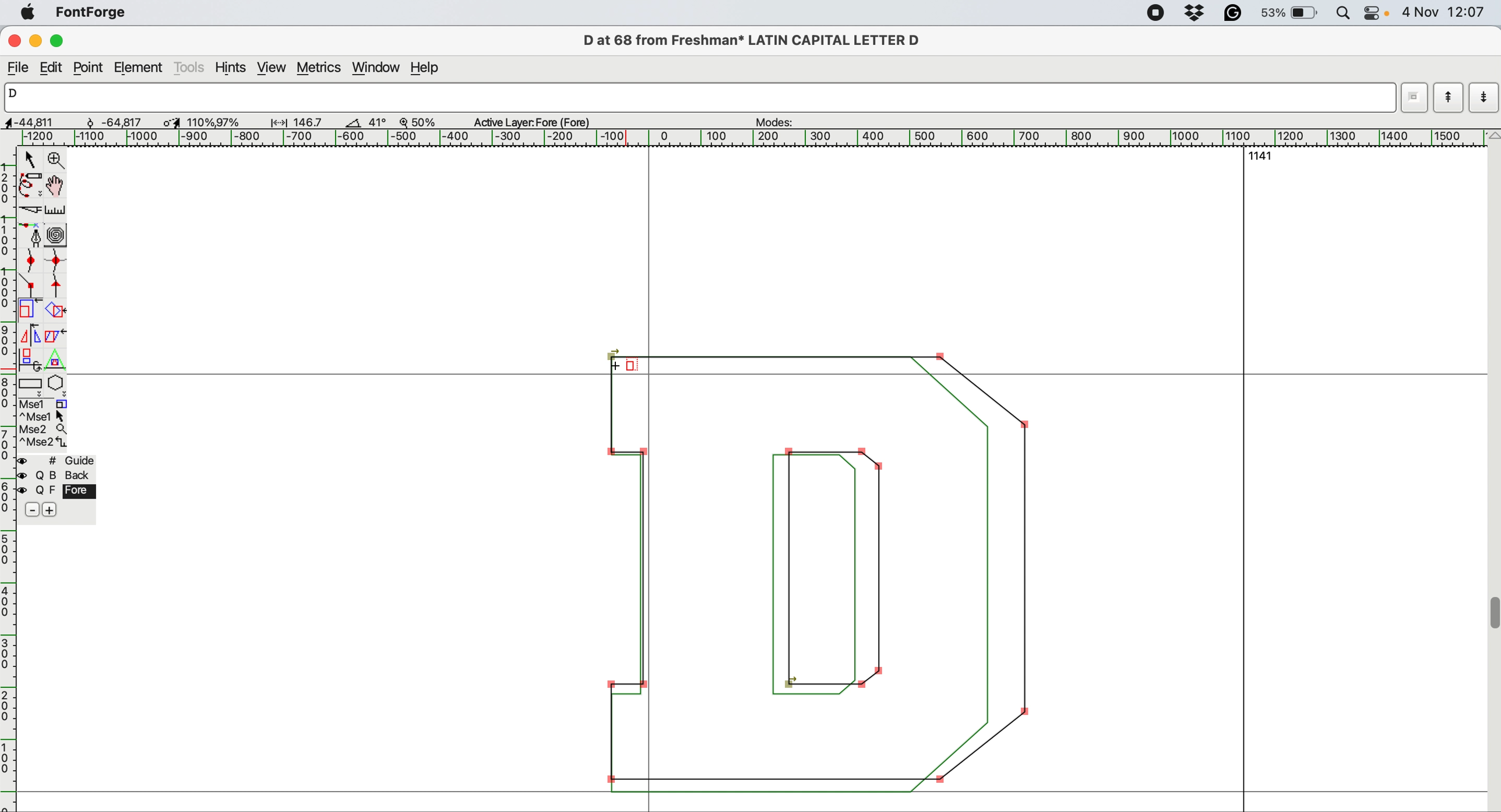 Image resolution: width=1501 pixels, height=812 pixels. Describe the element at coordinates (55, 68) in the screenshot. I see `edit` at that location.